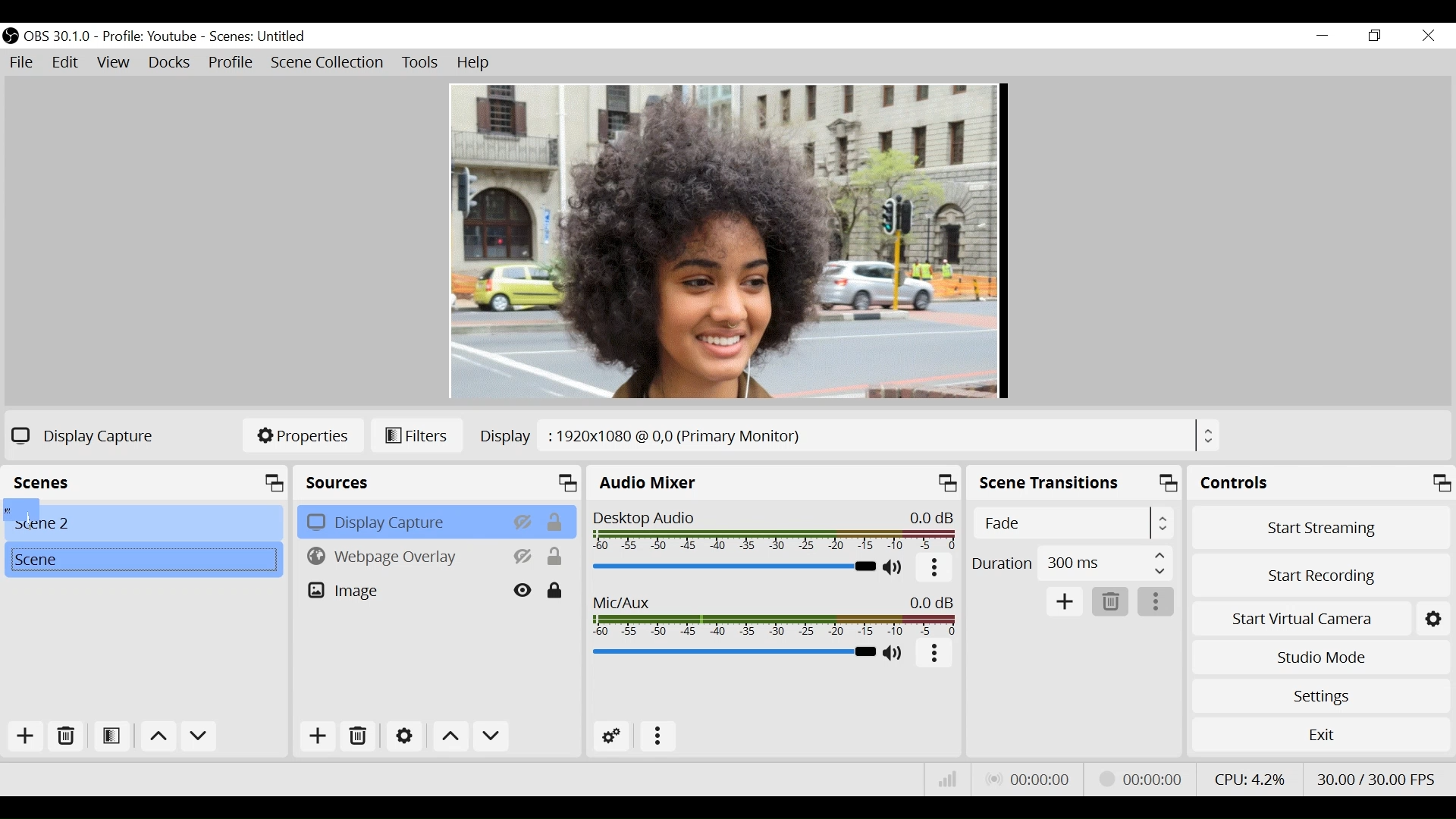 This screenshot has width=1456, height=819. Describe the element at coordinates (1075, 483) in the screenshot. I see `Scene Transition` at that location.